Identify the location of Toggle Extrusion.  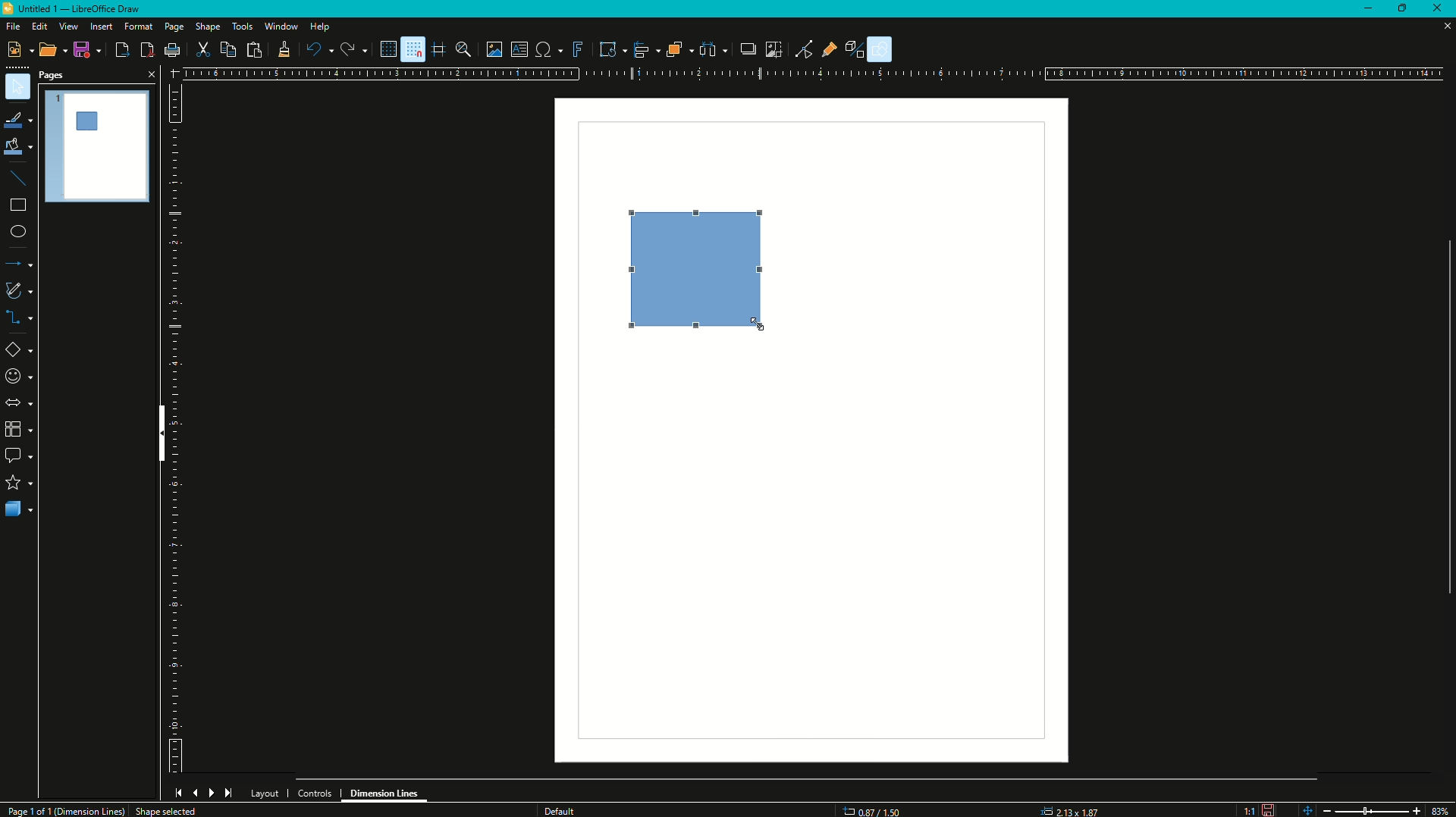
(858, 48).